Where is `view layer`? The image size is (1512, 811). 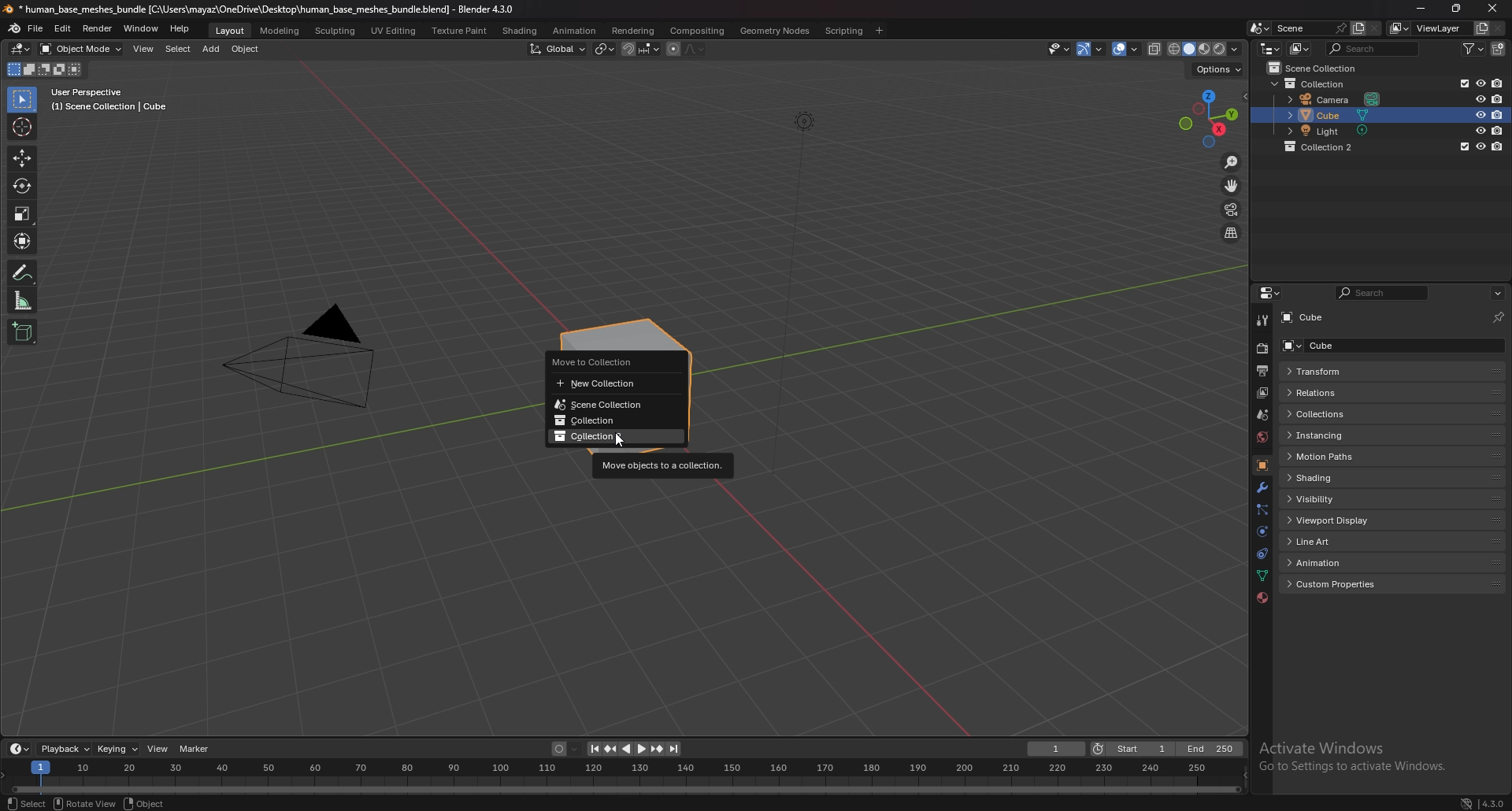 view layer is located at coordinates (1425, 28).